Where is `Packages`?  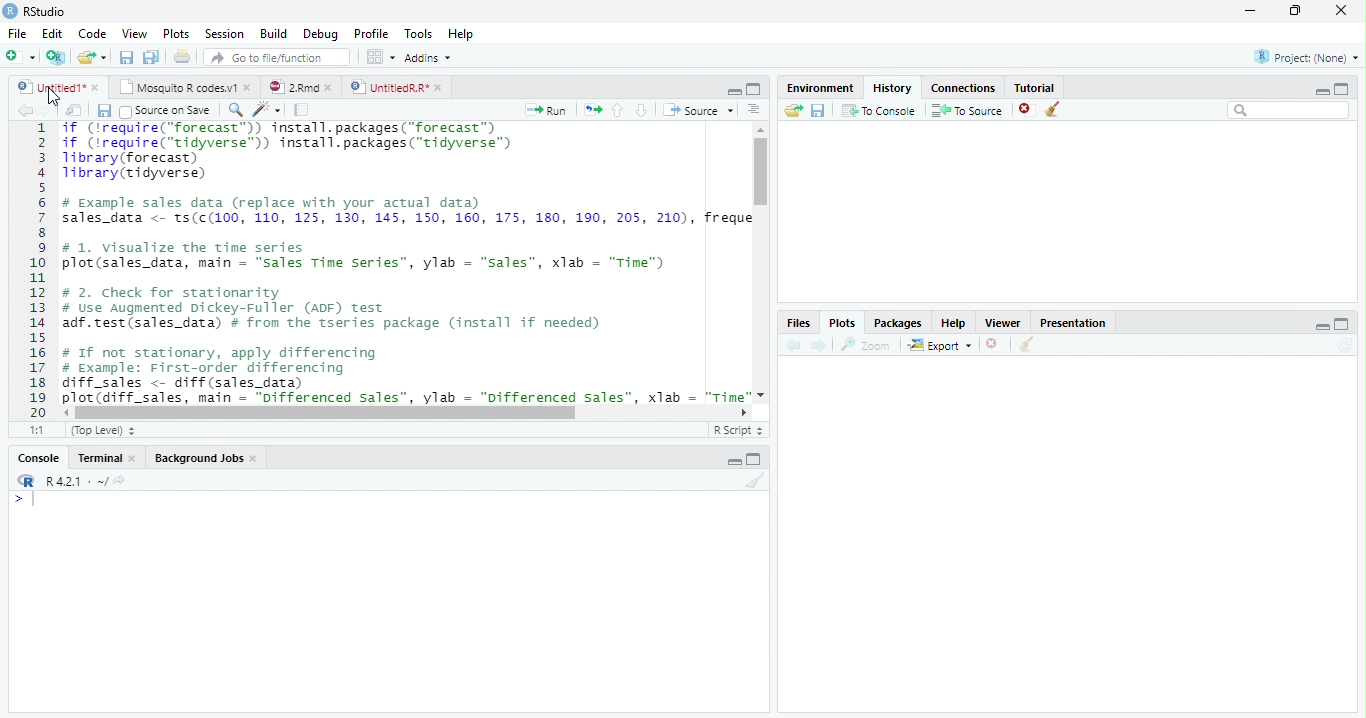 Packages is located at coordinates (899, 324).